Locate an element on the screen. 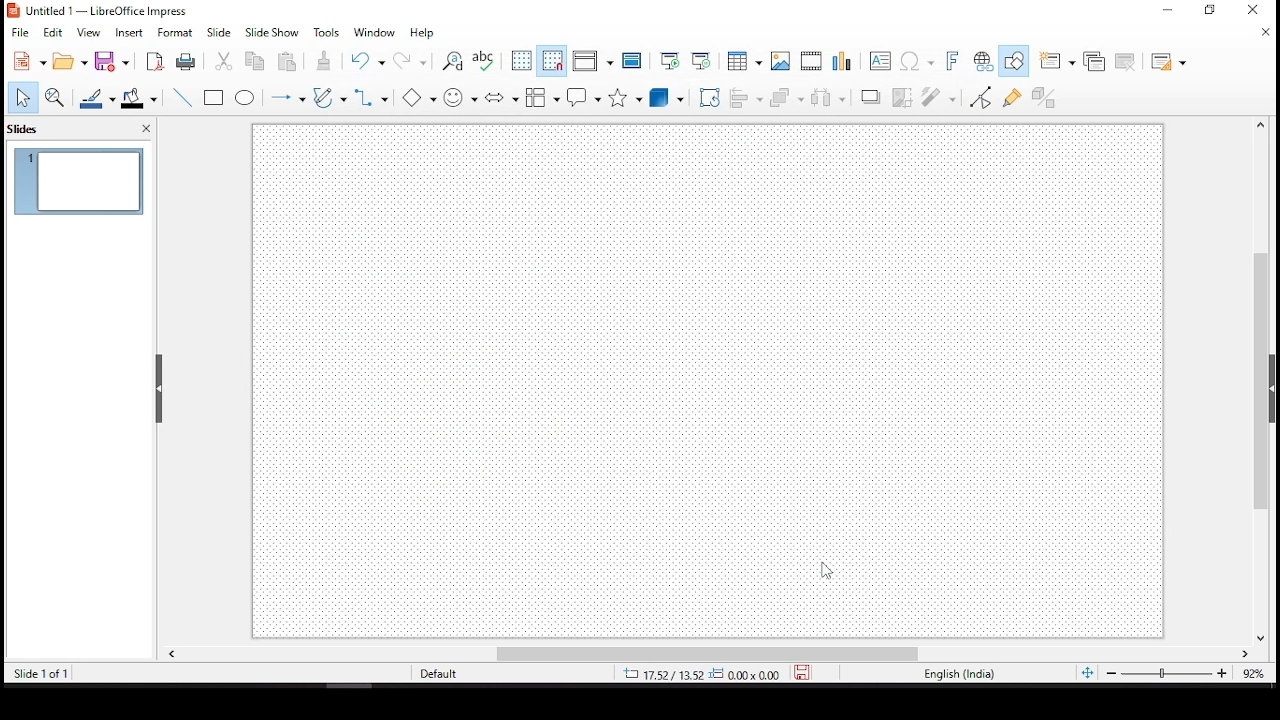  slide (pattern background) is located at coordinates (711, 381).